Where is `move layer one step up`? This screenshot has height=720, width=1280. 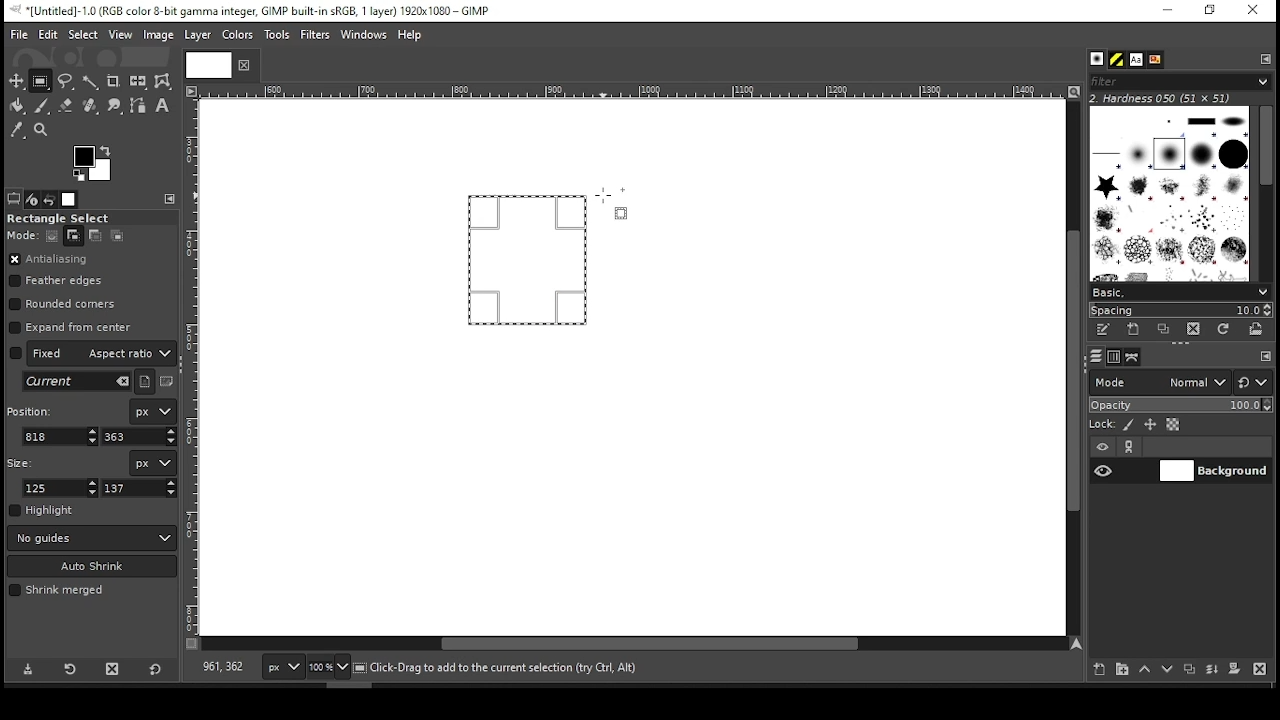 move layer one step up is located at coordinates (1145, 671).